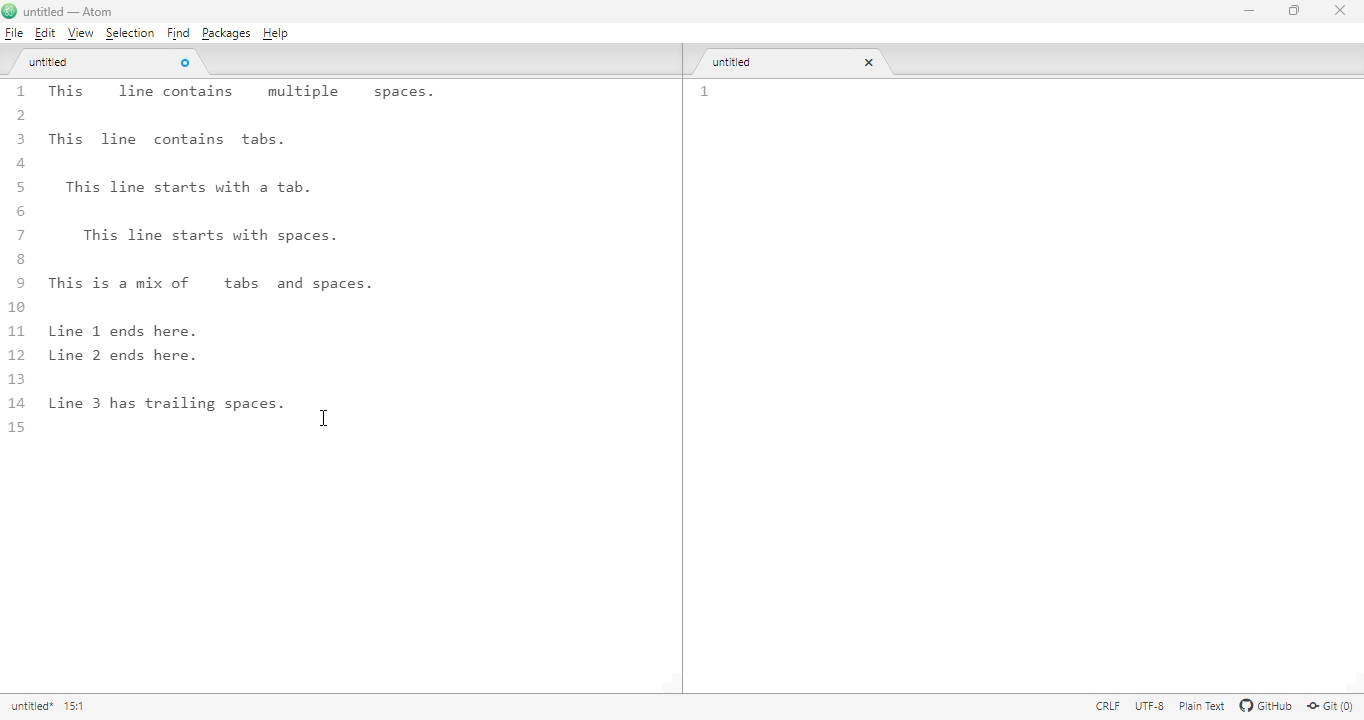  What do you see at coordinates (131, 33) in the screenshot?
I see `selection` at bounding box center [131, 33].